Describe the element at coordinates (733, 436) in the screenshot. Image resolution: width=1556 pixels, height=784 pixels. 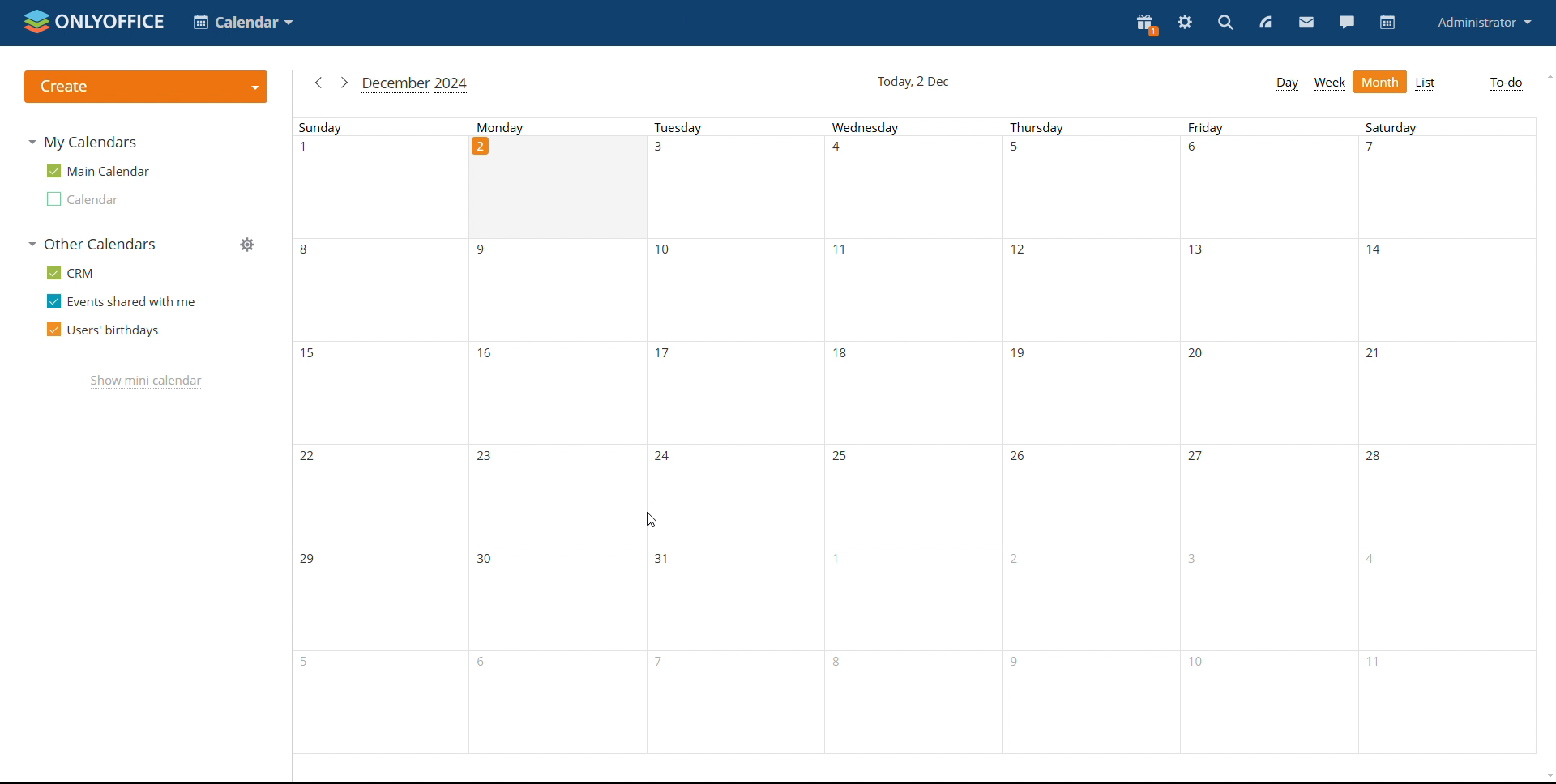
I see `tuesday` at that location.